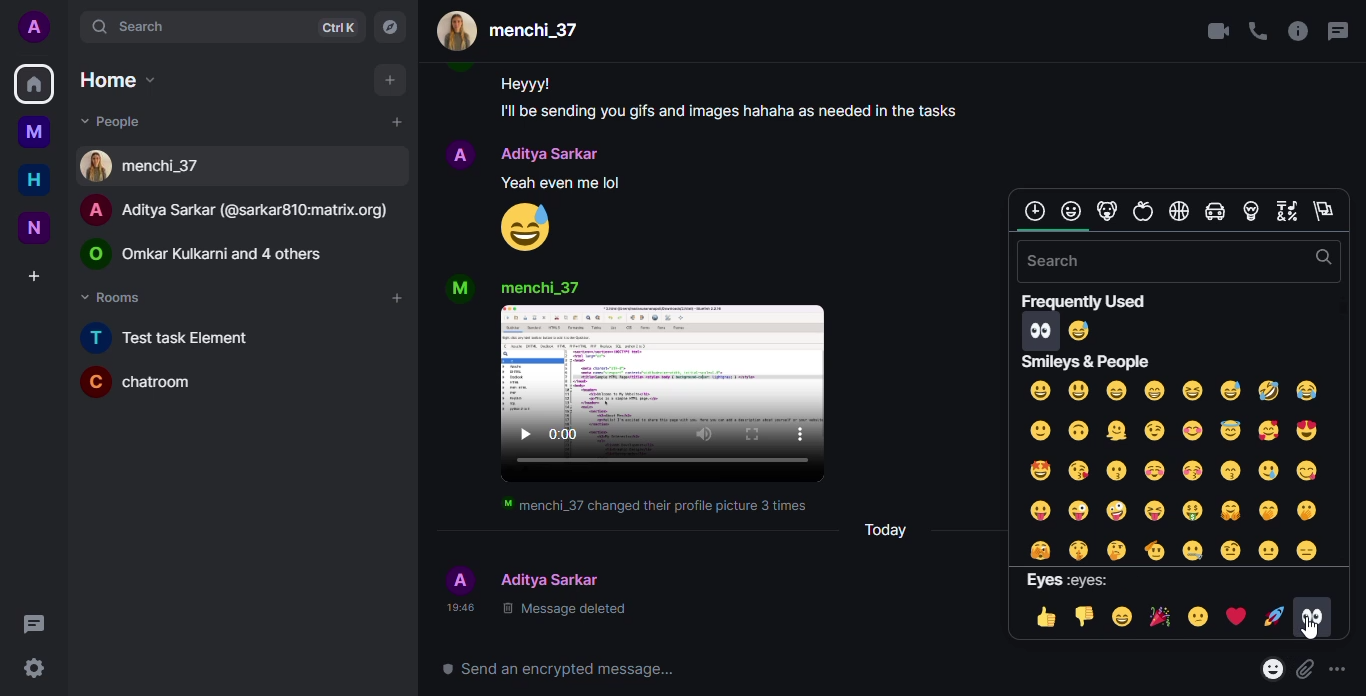  What do you see at coordinates (1033, 211) in the screenshot?
I see `frequently used` at bounding box center [1033, 211].